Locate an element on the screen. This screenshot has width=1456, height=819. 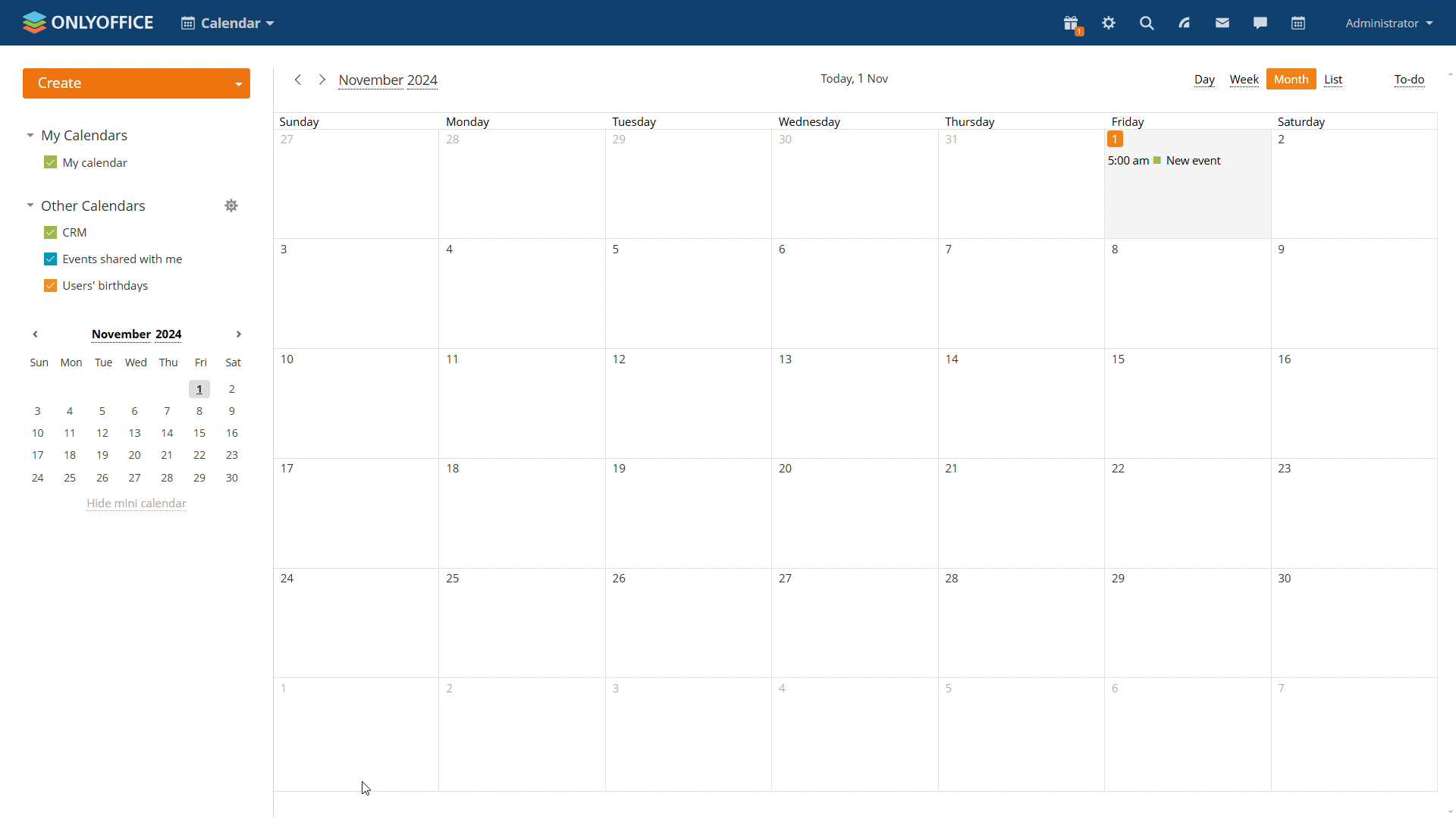
administrator is located at coordinates (1387, 24).